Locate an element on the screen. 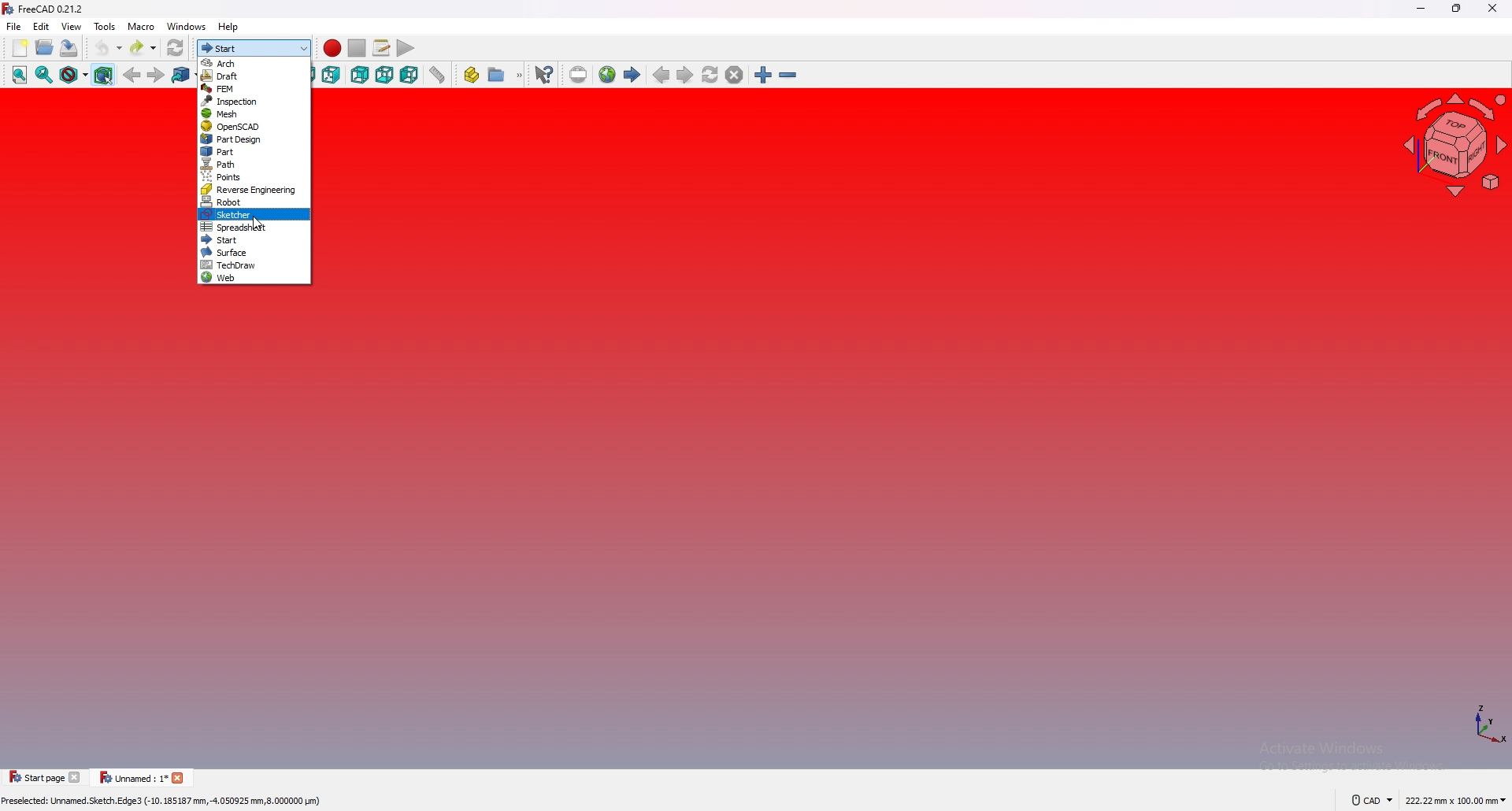  forward is located at coordinates (156, 76).